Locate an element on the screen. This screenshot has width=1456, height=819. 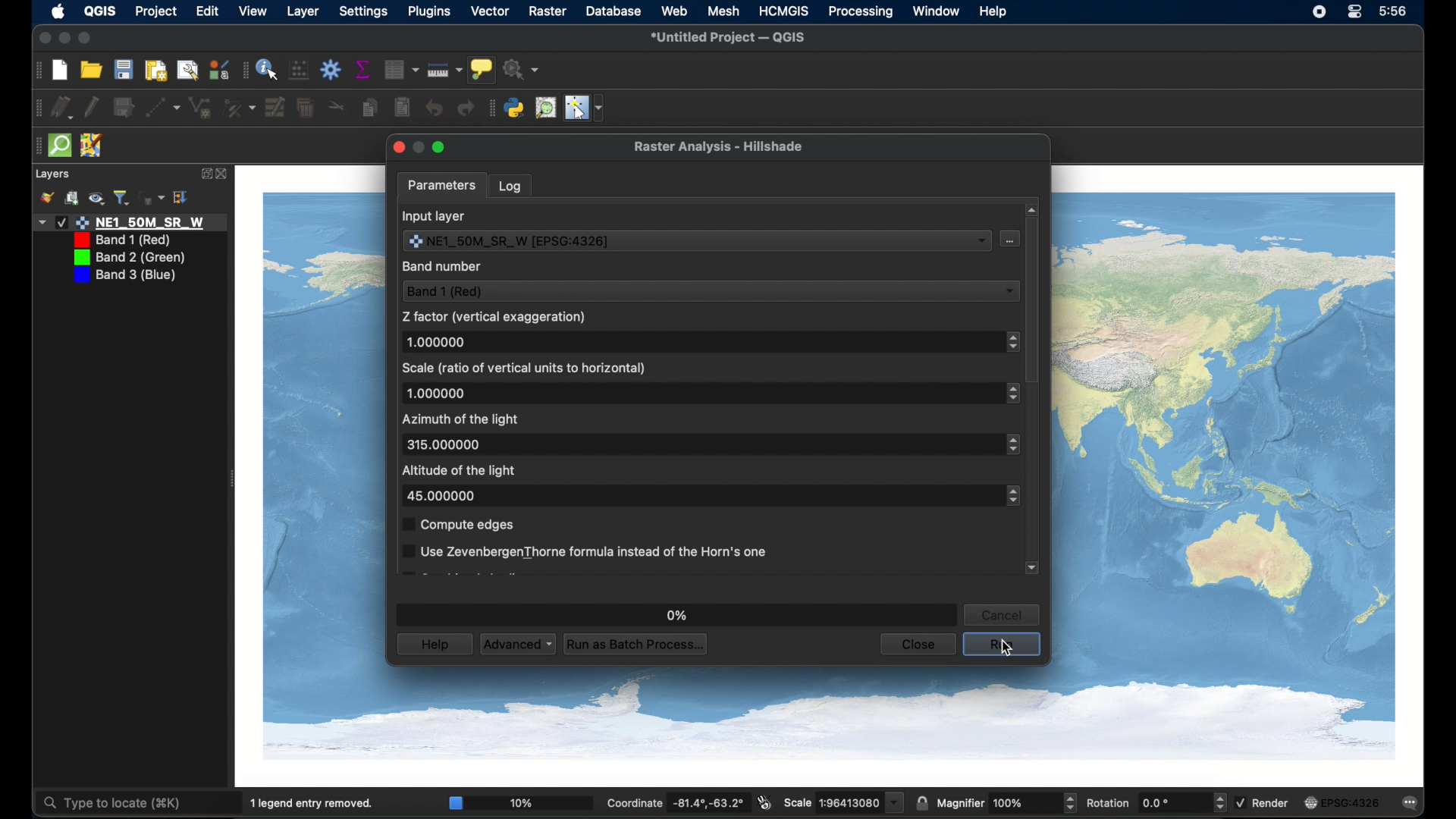
save is located at coordinates (123, 70).